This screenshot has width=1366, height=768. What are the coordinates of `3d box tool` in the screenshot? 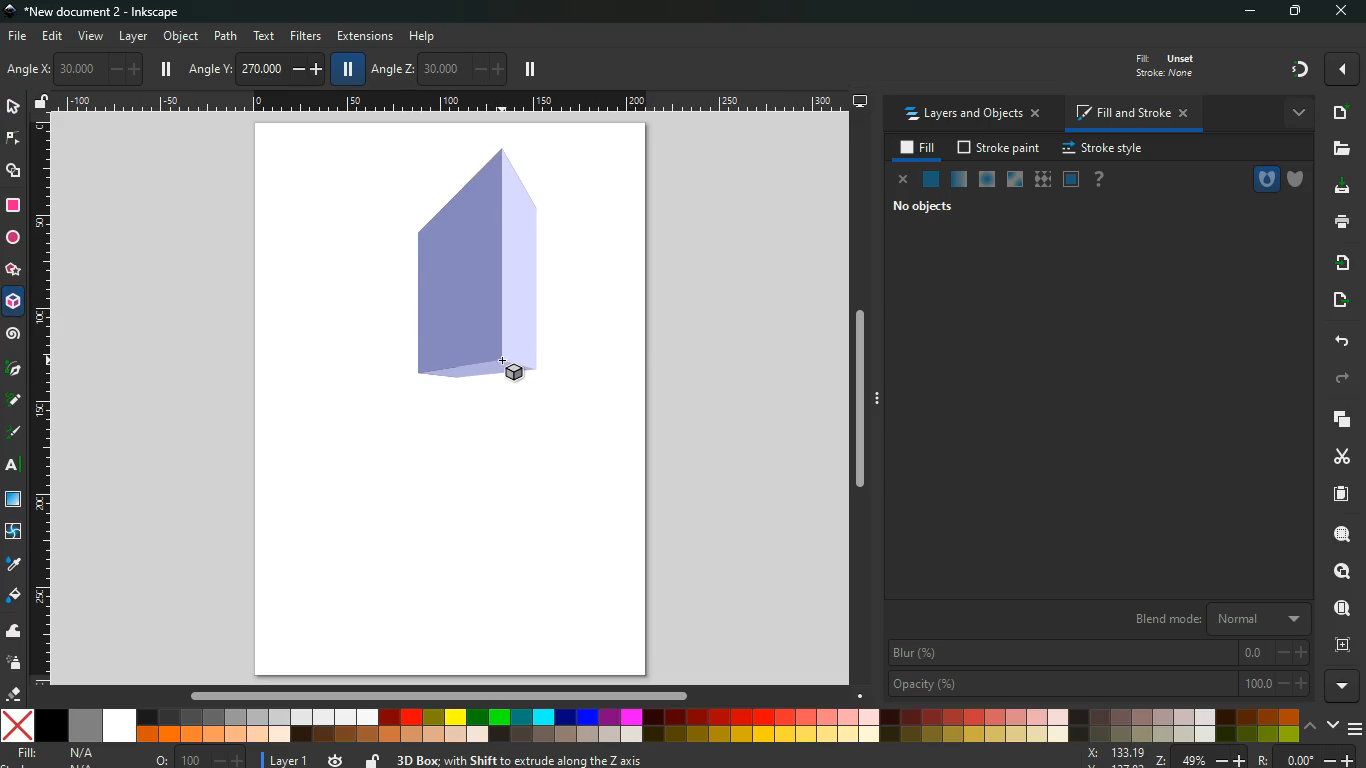 It's located at (14, 305).